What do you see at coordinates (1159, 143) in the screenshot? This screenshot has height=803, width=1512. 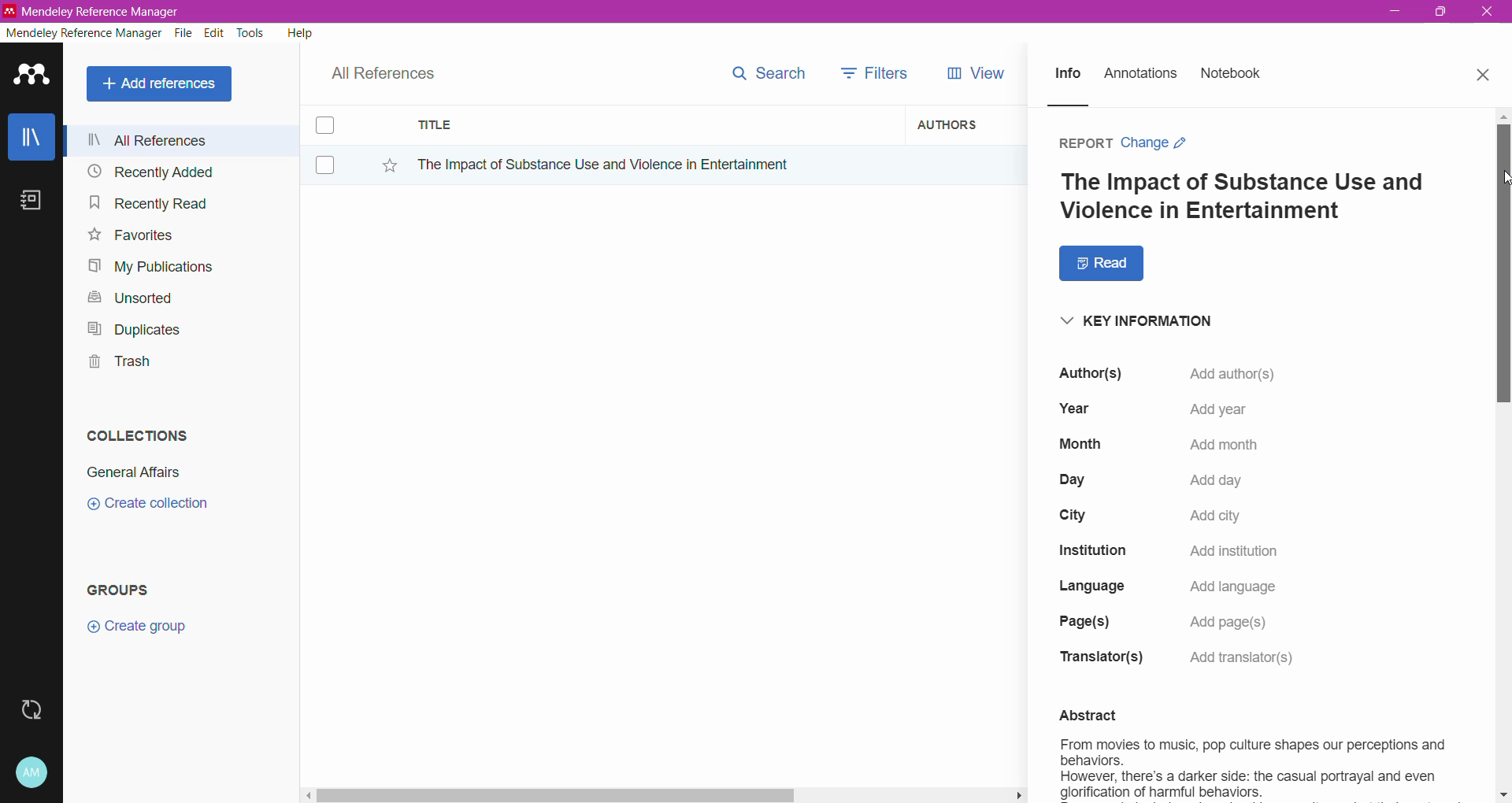 I see `change` at bounding box center [1159, 143].